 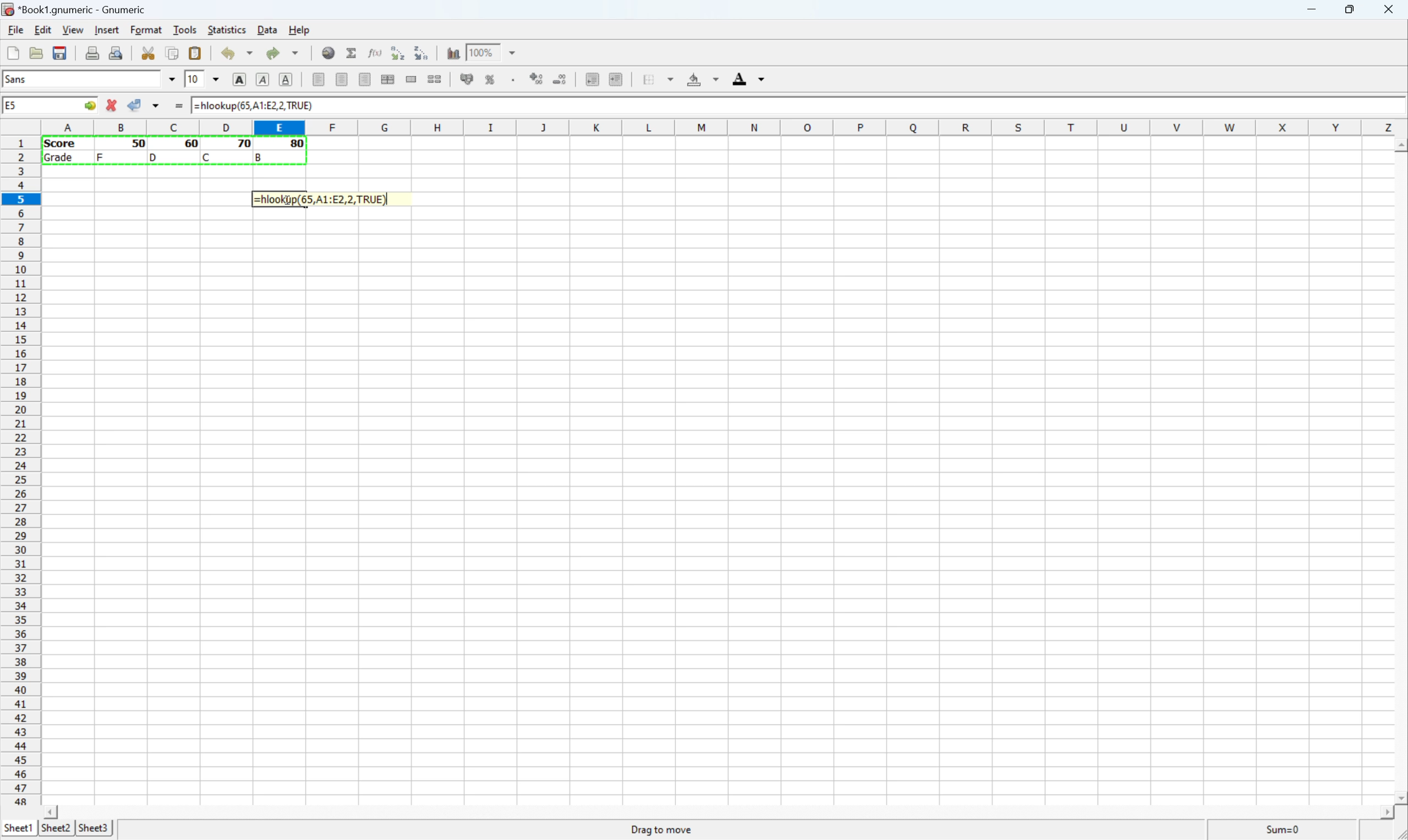 I want to click on Align Left, so click(x=316, y=80).